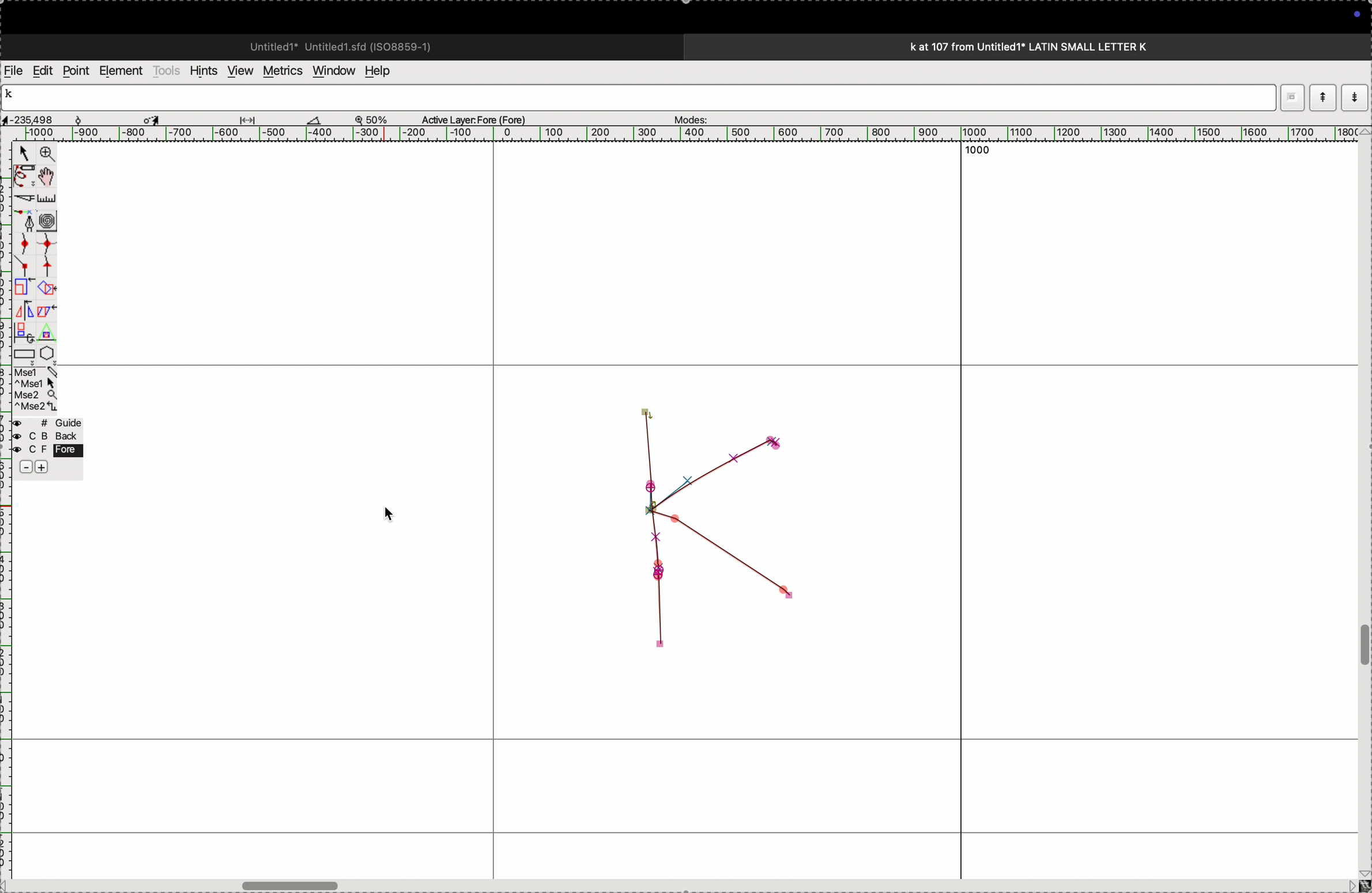 Image resolution: width=1372 pixels, height=893 pixels. What do you see at coordinates (1322, 97) in the screenshot?
I see `modeup` at bounding box center [1322, 97].